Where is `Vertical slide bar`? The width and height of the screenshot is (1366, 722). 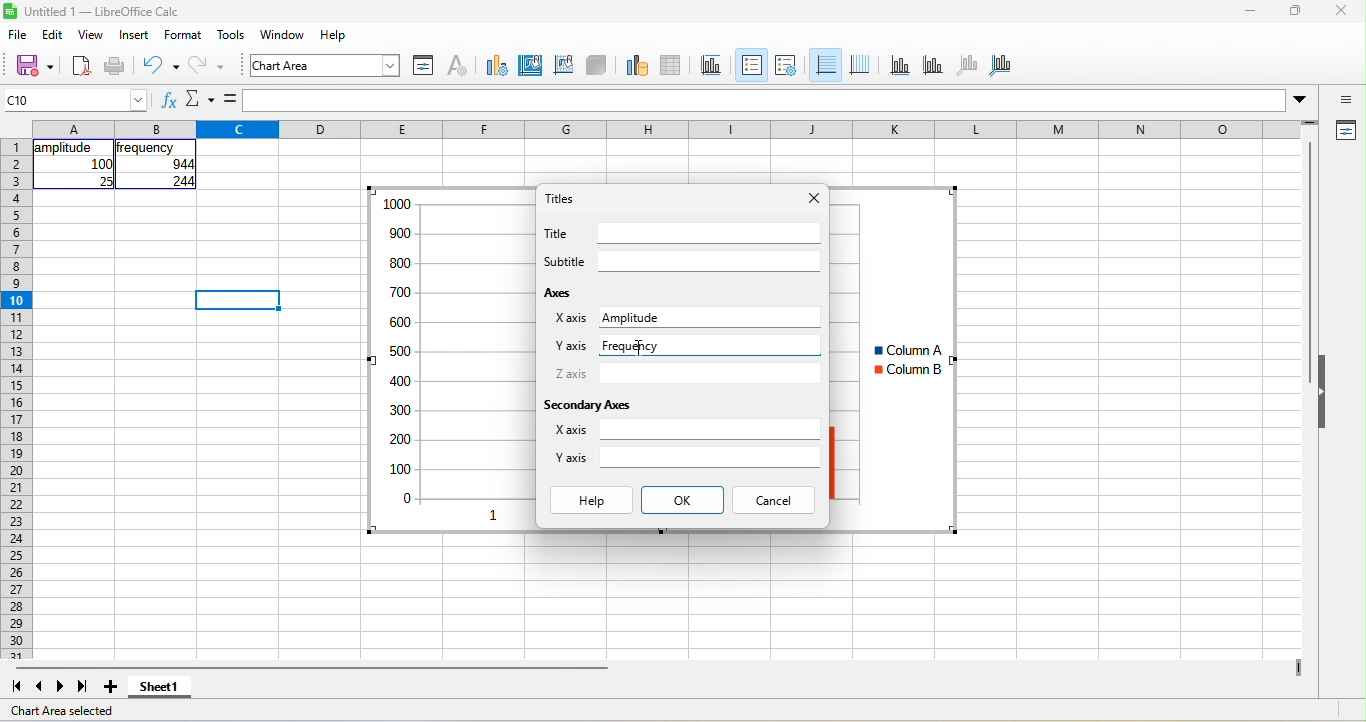 Vertical slide bar is located at coordinates (1309, 262).